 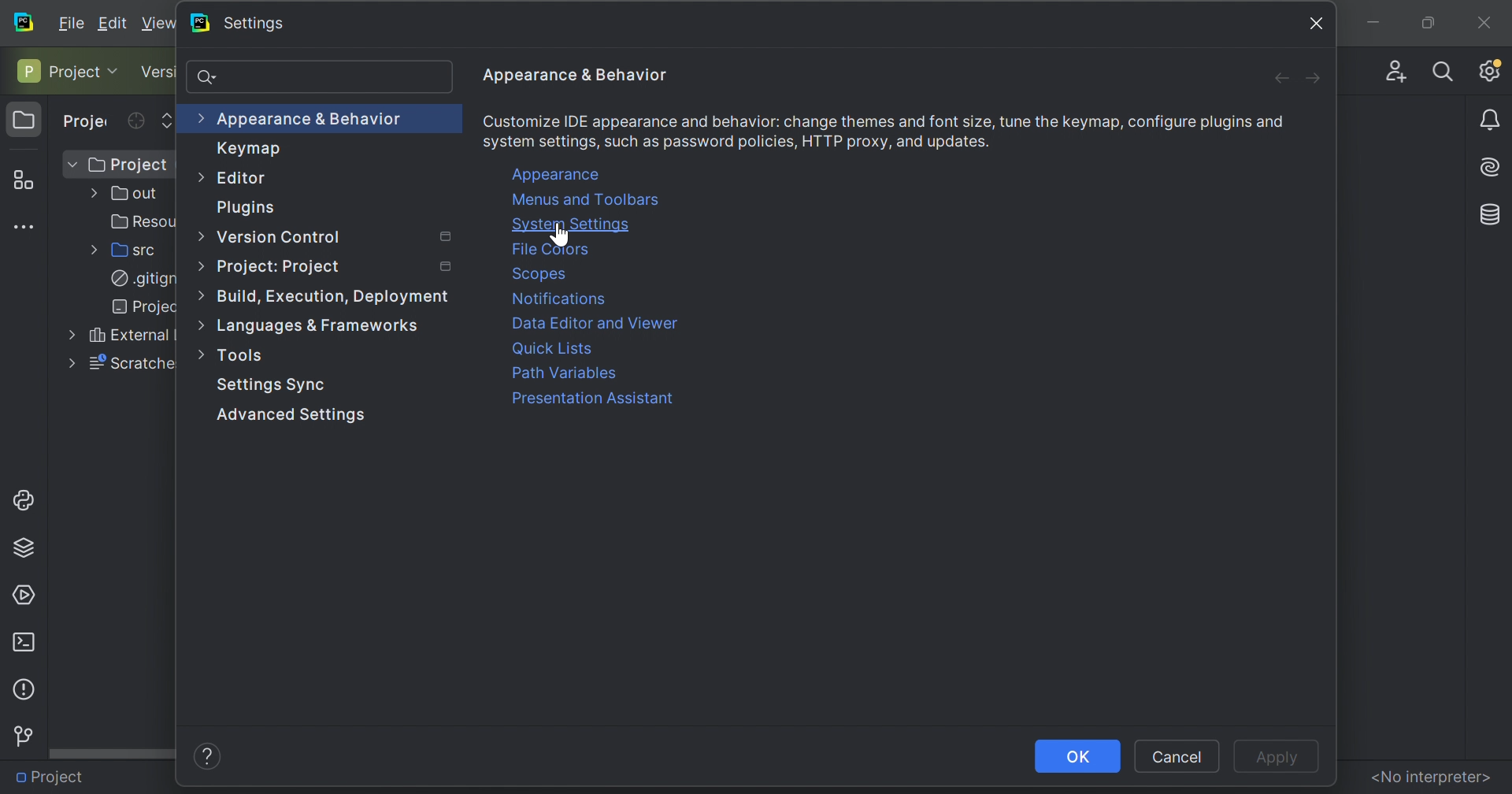 What do you see at coordinates (91, 250) in the screenshot?
I see `More` at bounding box center [91, 250].